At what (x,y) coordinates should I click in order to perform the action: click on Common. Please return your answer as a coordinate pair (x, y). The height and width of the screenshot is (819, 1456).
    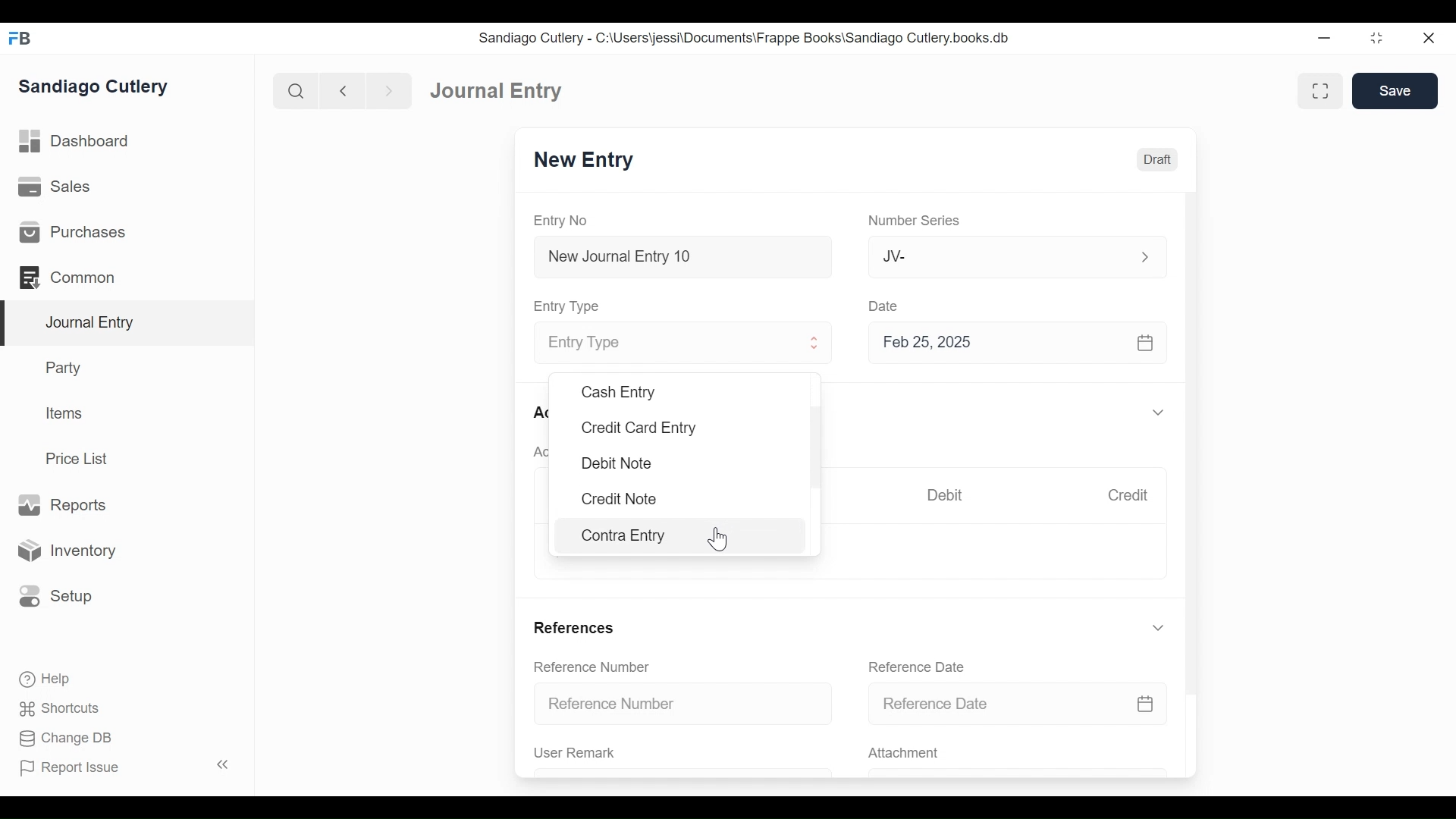
    Looking at the image, I should click on (68, 276).